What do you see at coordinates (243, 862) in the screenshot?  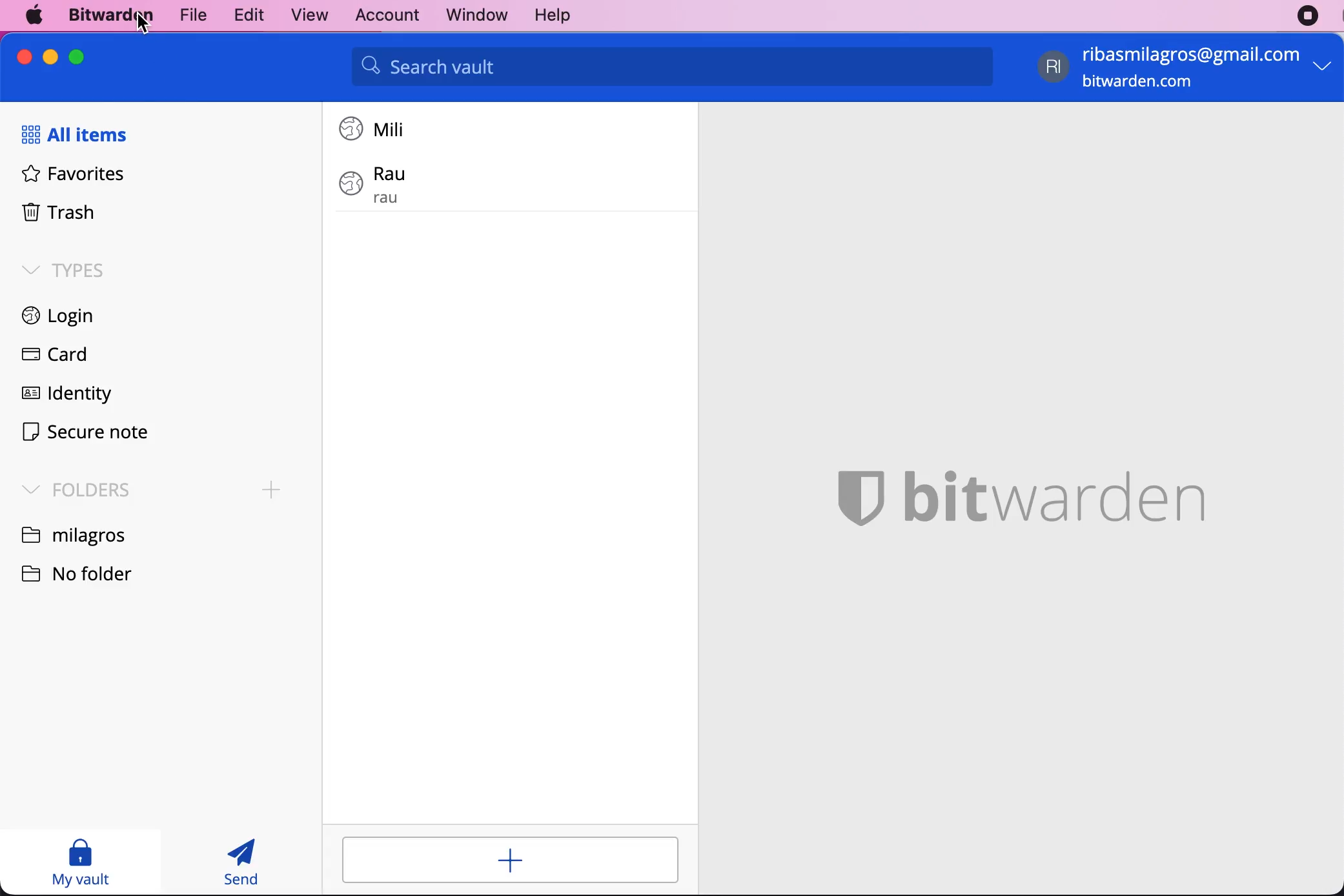 I see `send` at bounding box center [243, 862].